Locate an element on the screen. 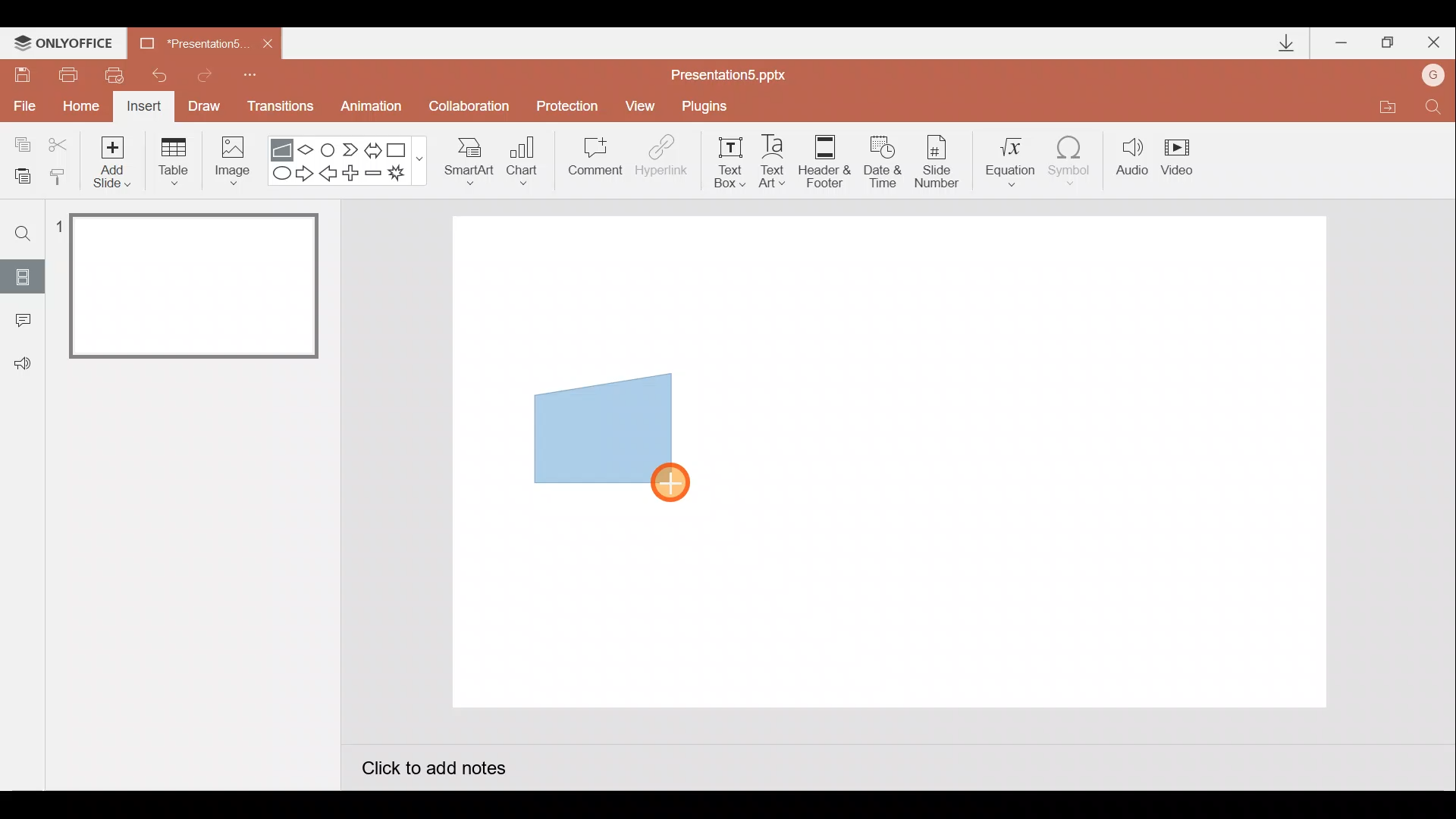 This screenshot has height=819, width=1456. Flowchart-connector is located at coordinates (329, 149).